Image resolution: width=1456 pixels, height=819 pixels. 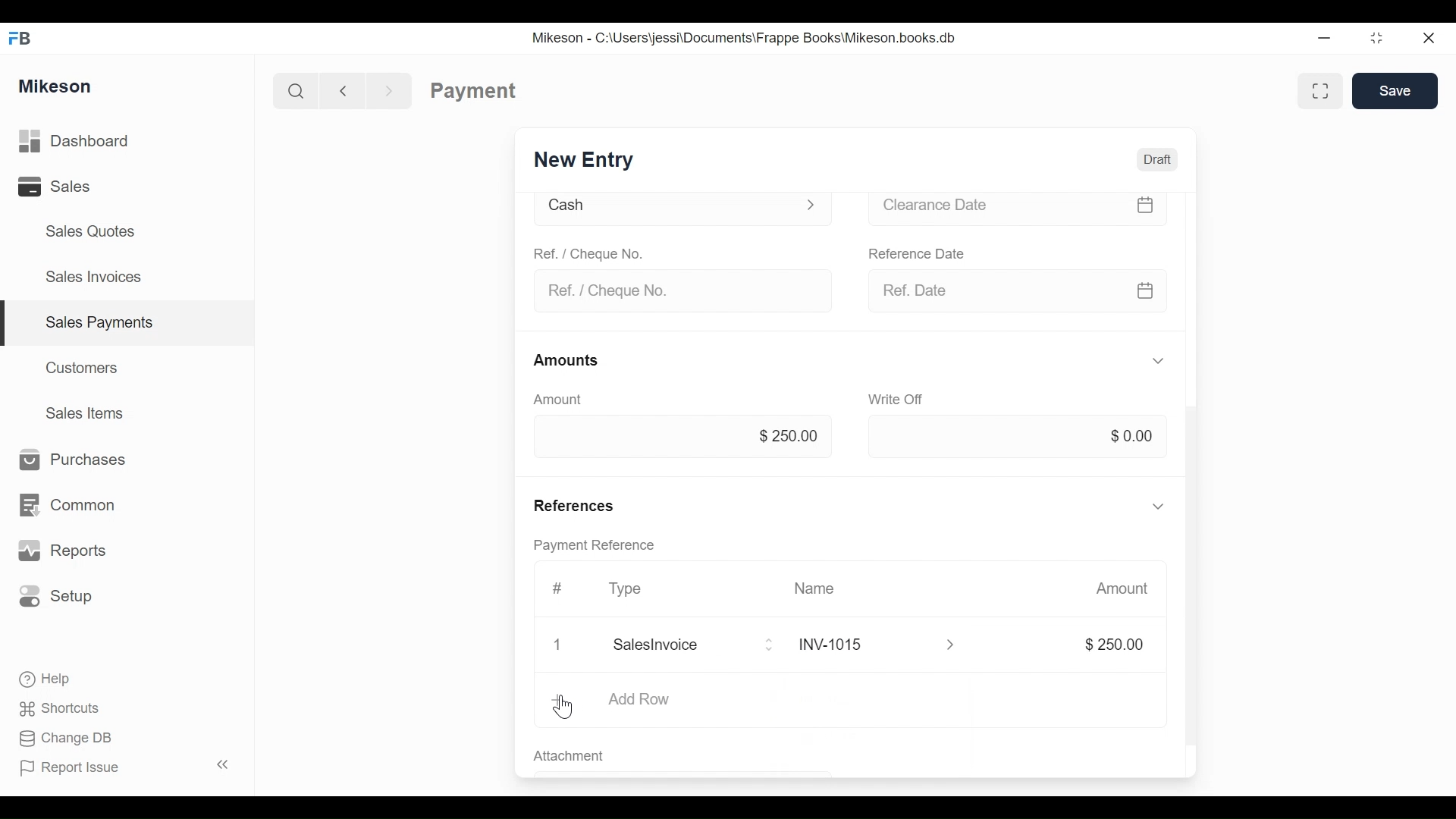 I want to click on Close, so click(x=557, y=645).